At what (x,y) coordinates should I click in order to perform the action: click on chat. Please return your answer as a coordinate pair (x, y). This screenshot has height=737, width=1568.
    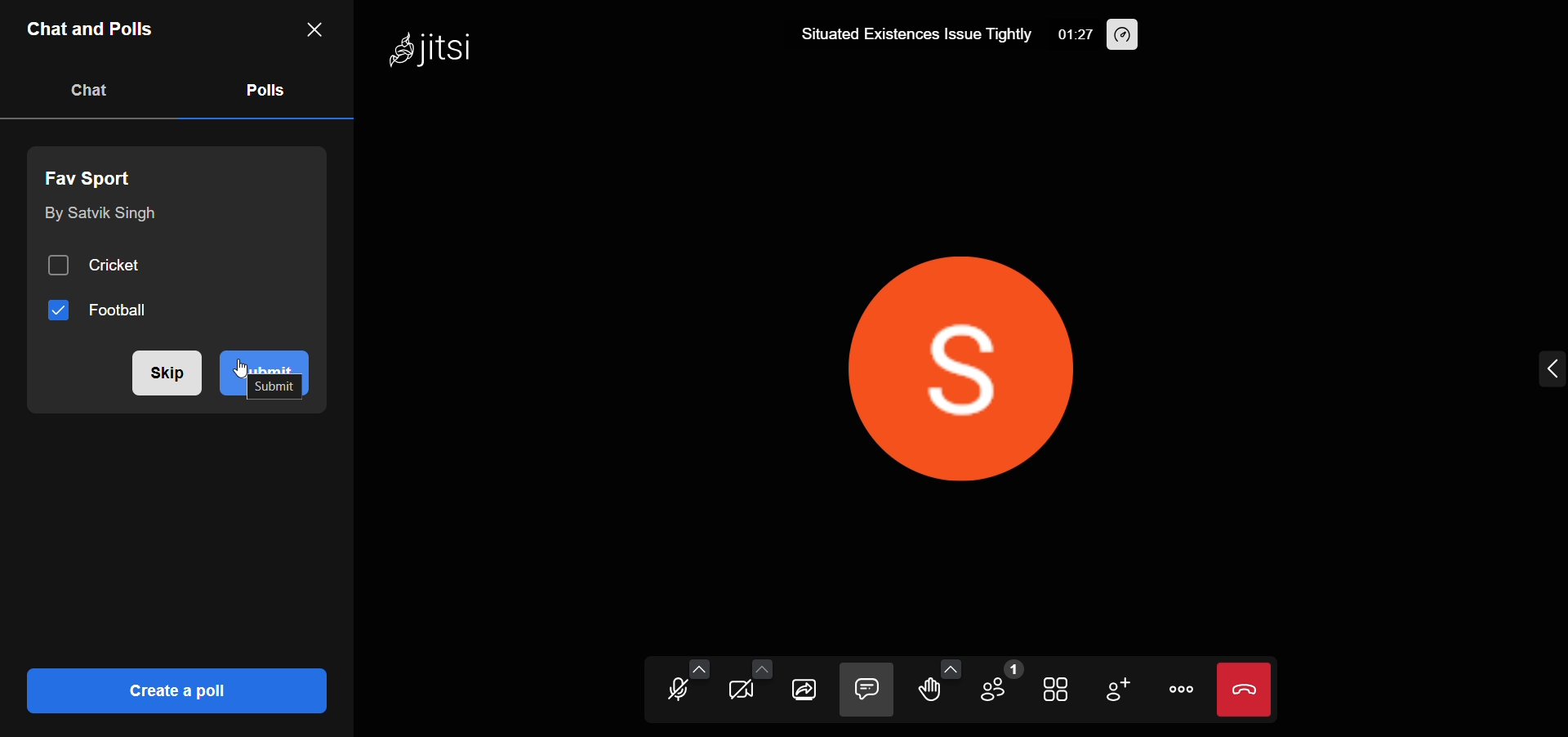
    Looking at the image, I should click on (94, 90).